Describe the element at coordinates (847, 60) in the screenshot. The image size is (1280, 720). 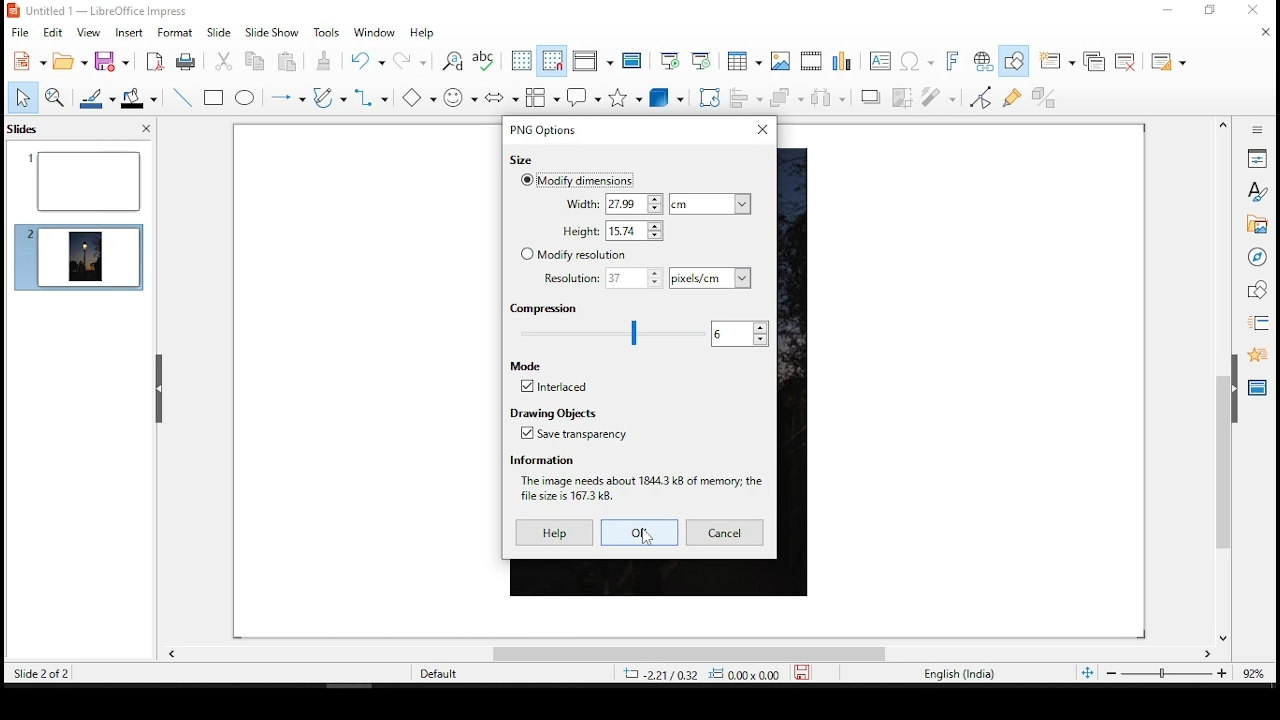
I see `charts` at that location.